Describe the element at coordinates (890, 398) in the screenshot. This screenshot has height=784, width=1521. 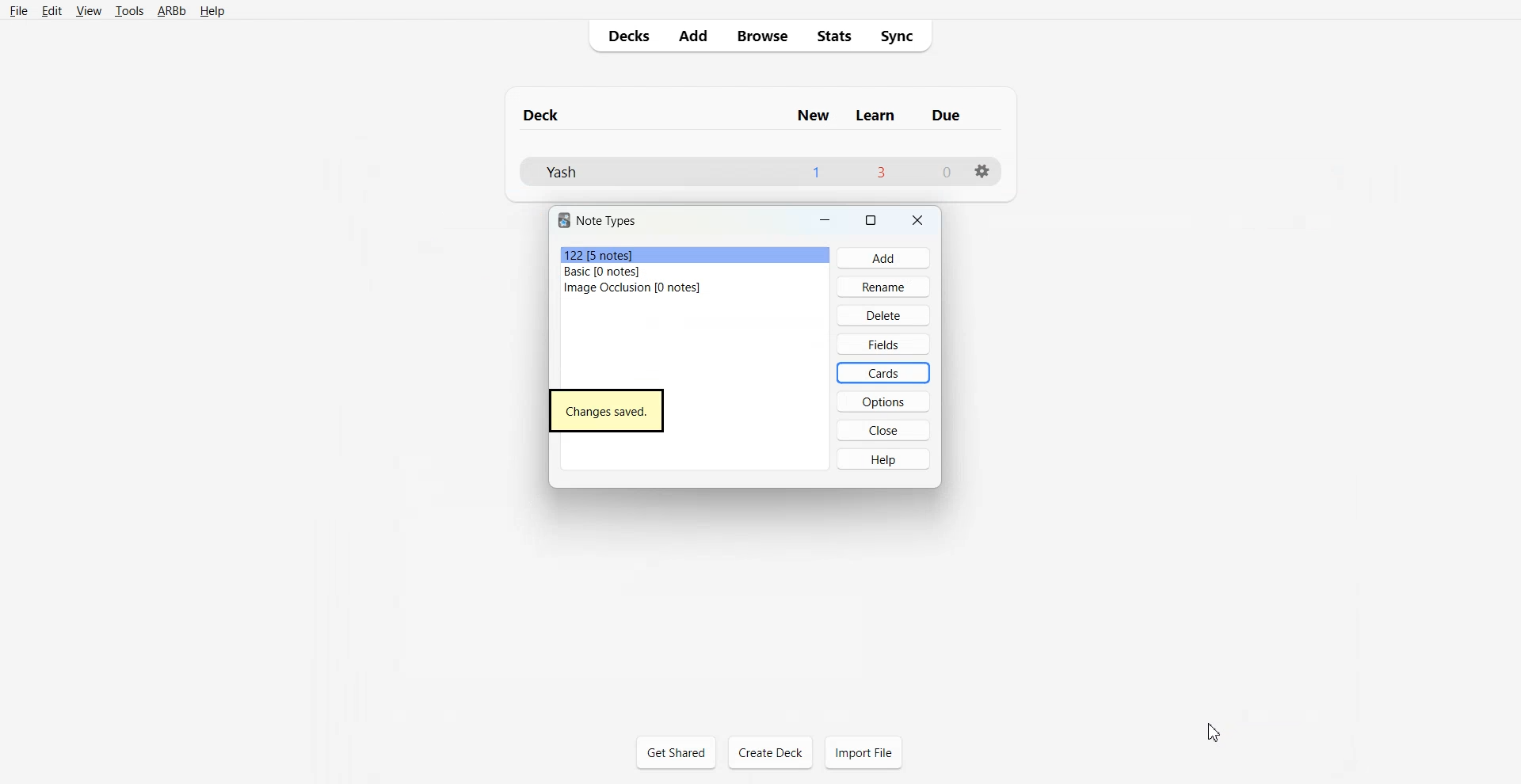
I see `options` at that location.